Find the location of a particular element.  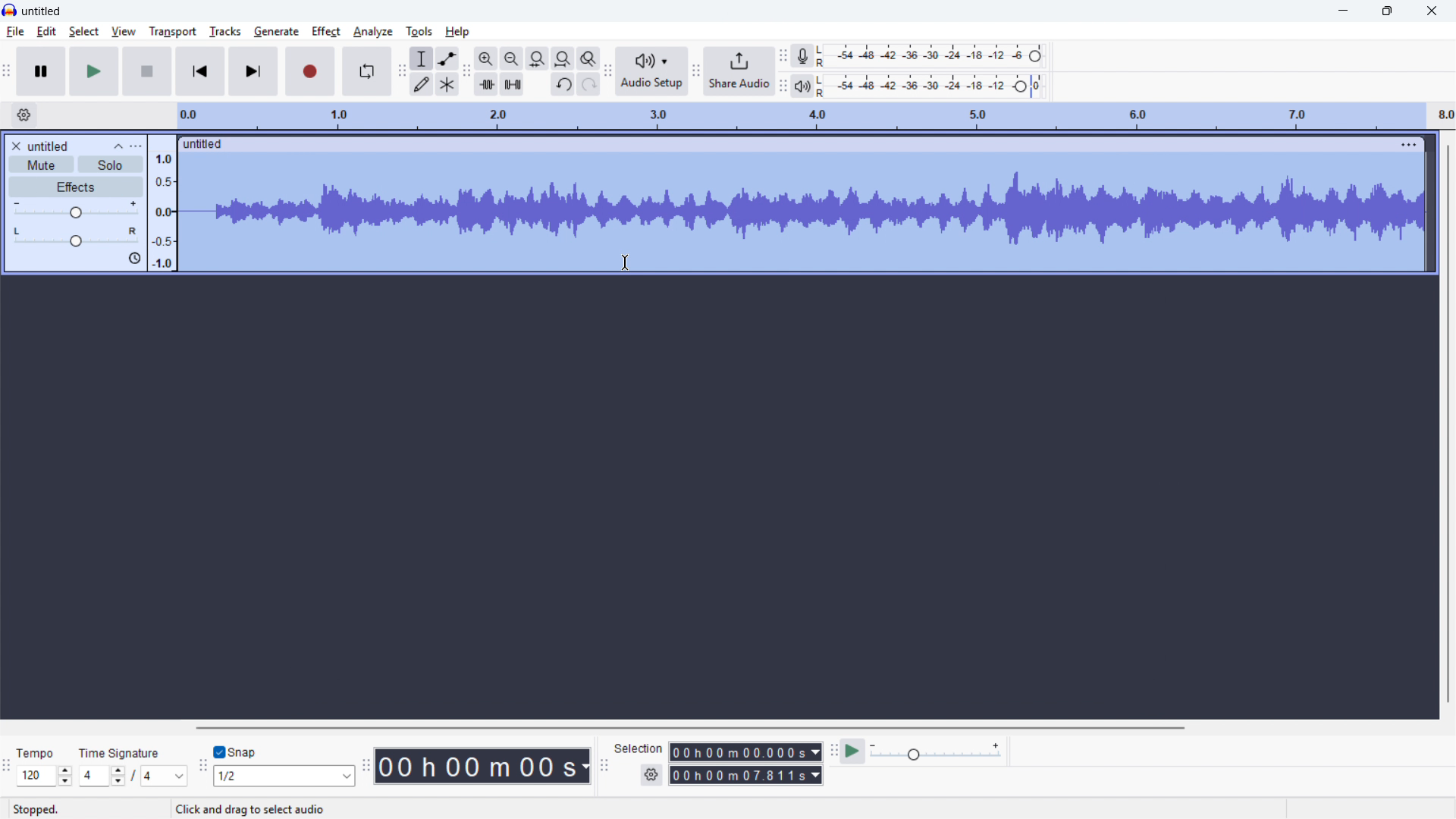

Playback level  is located at coordinates (929, 86).